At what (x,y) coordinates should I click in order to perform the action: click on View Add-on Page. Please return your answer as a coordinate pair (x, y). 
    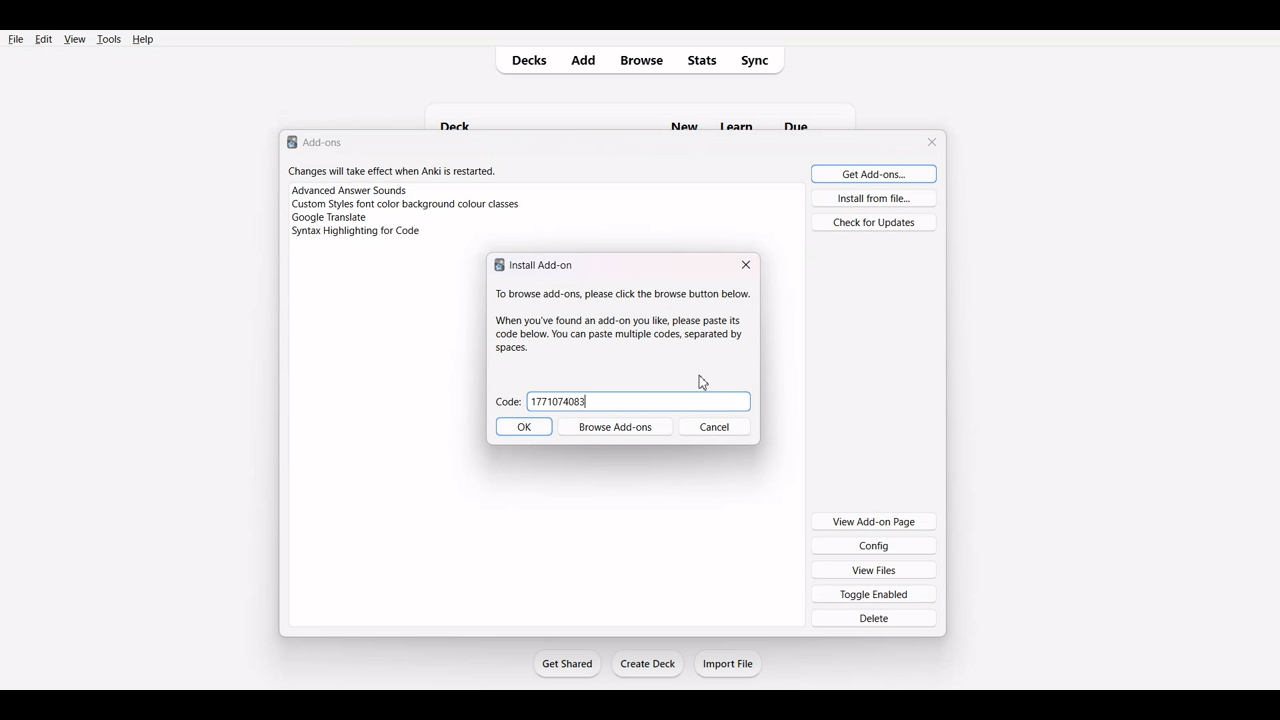
    Looking at the image, I should click on (874, 520).